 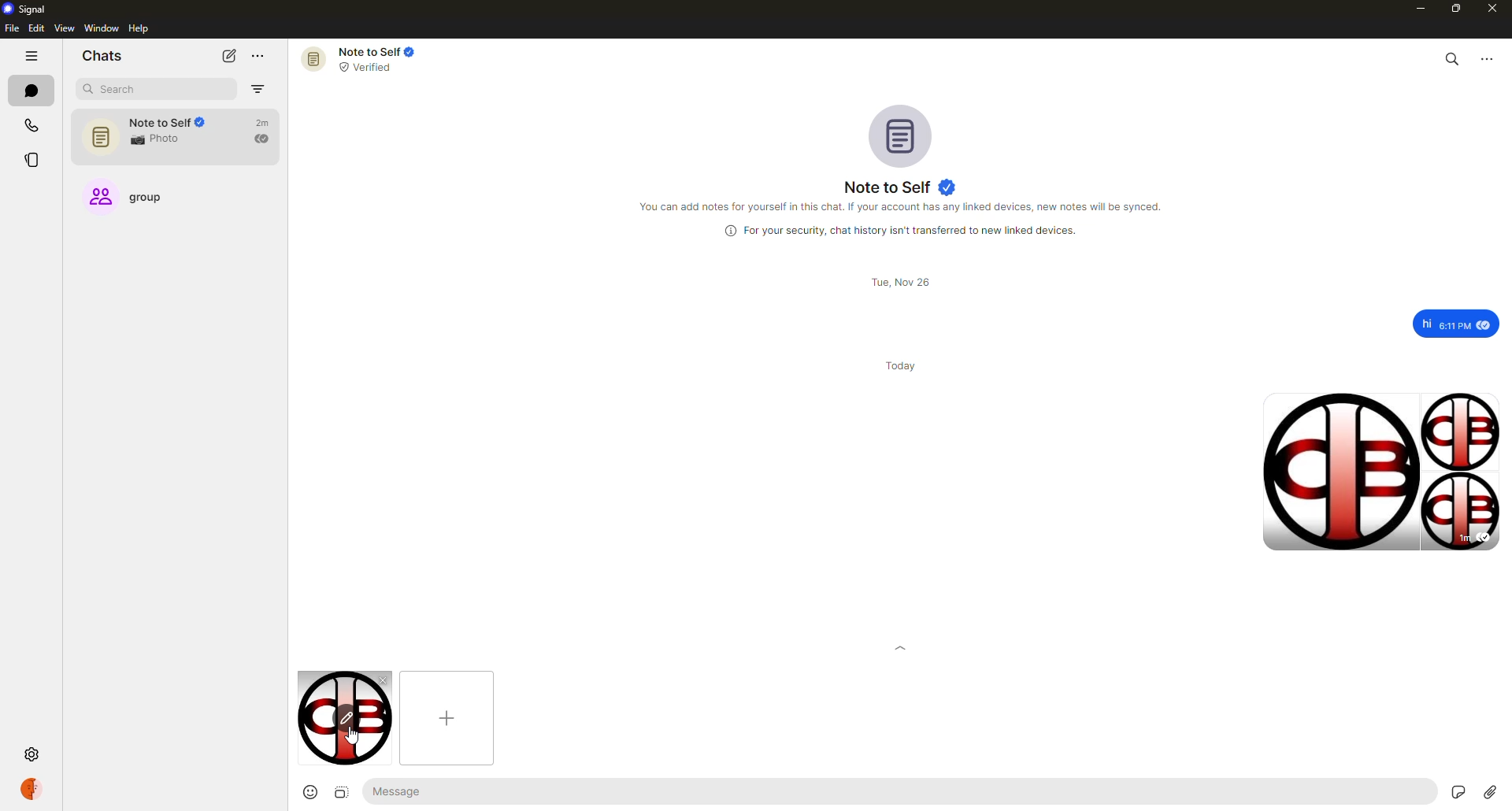 What do you see at coordinates (1494, 9) in the screenshot?
I see `close` at bounding box center [1494, 9].